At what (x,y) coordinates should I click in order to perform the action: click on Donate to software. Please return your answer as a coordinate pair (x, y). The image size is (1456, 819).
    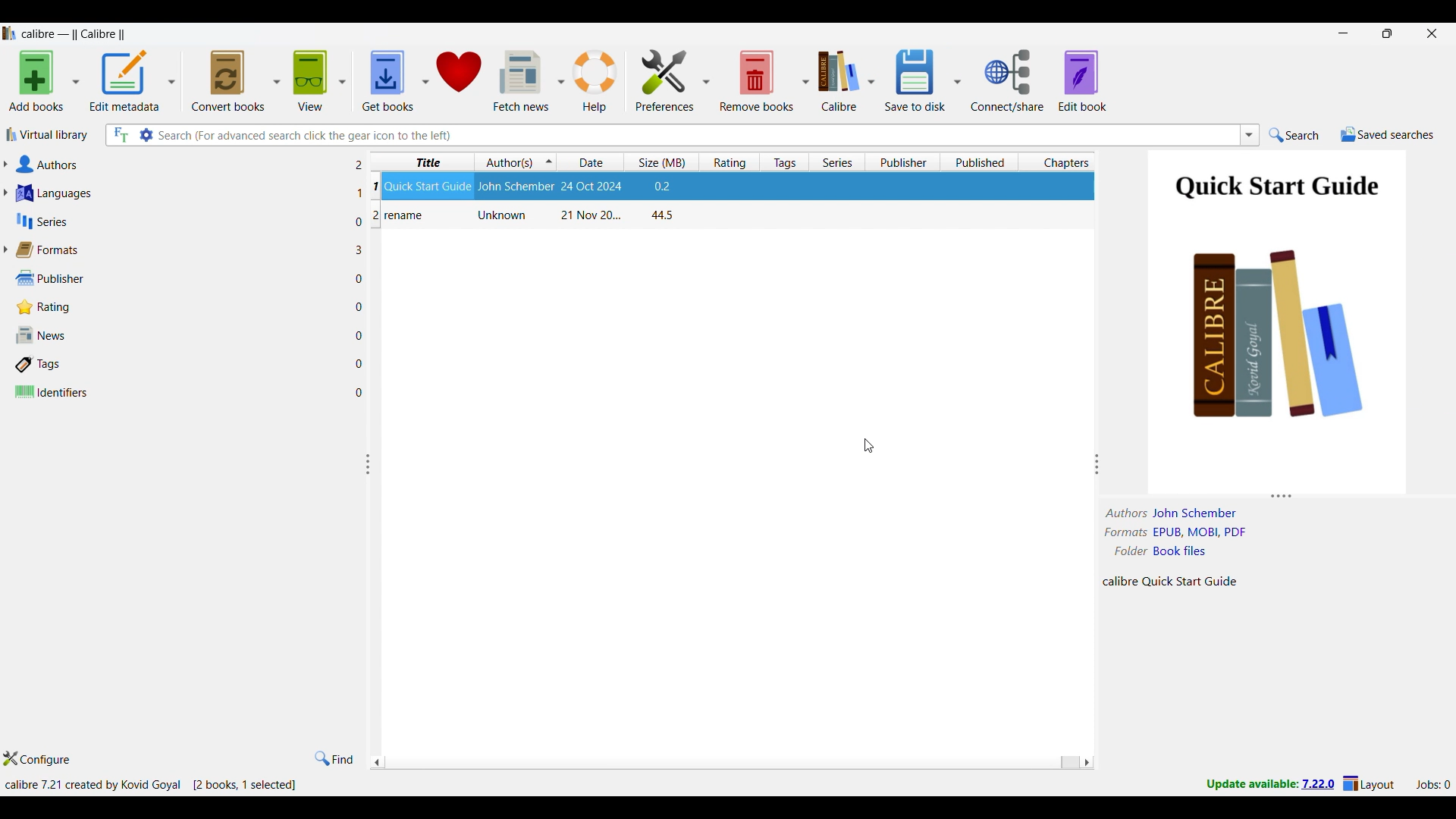
    Looking at the image, I should click on (458, 80).